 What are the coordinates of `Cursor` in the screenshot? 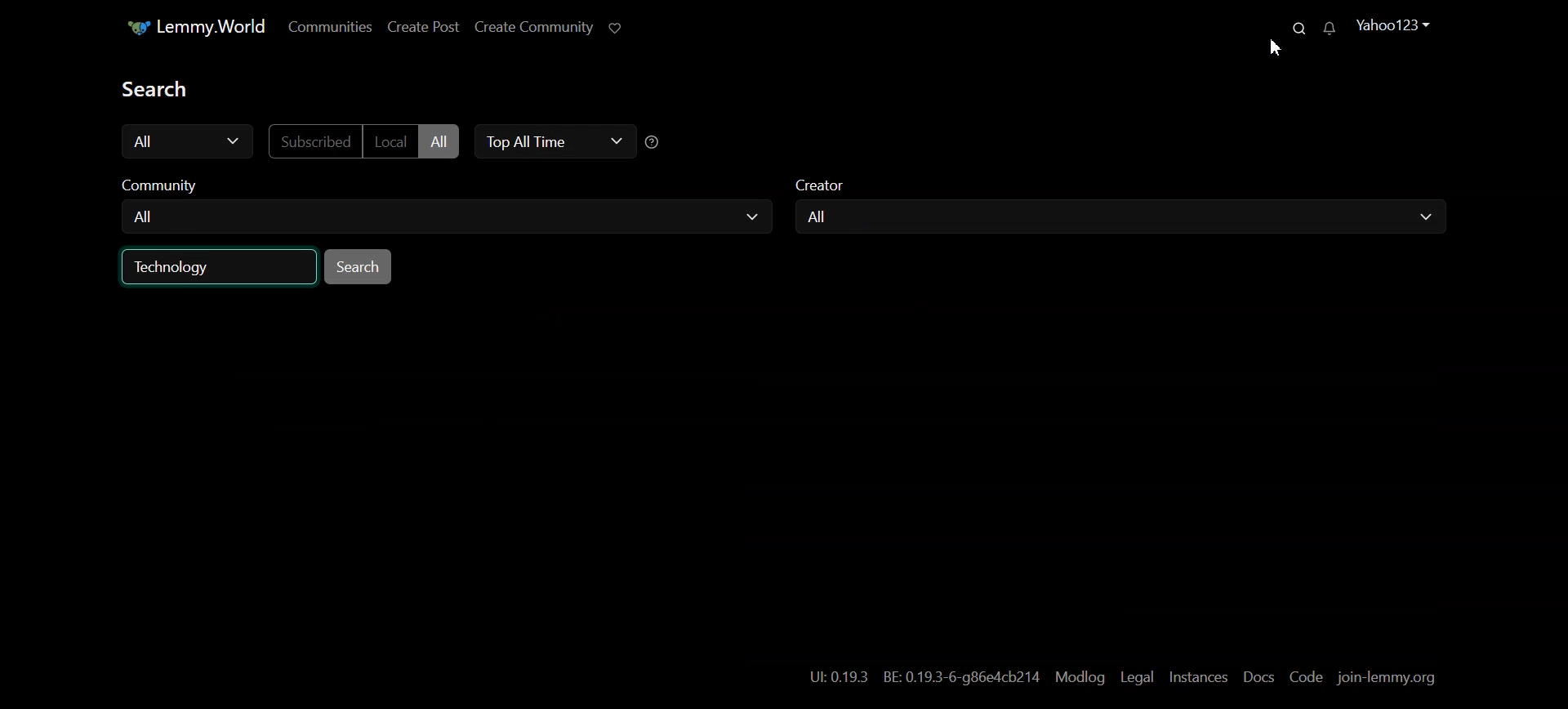 It's located at (1277, 50).